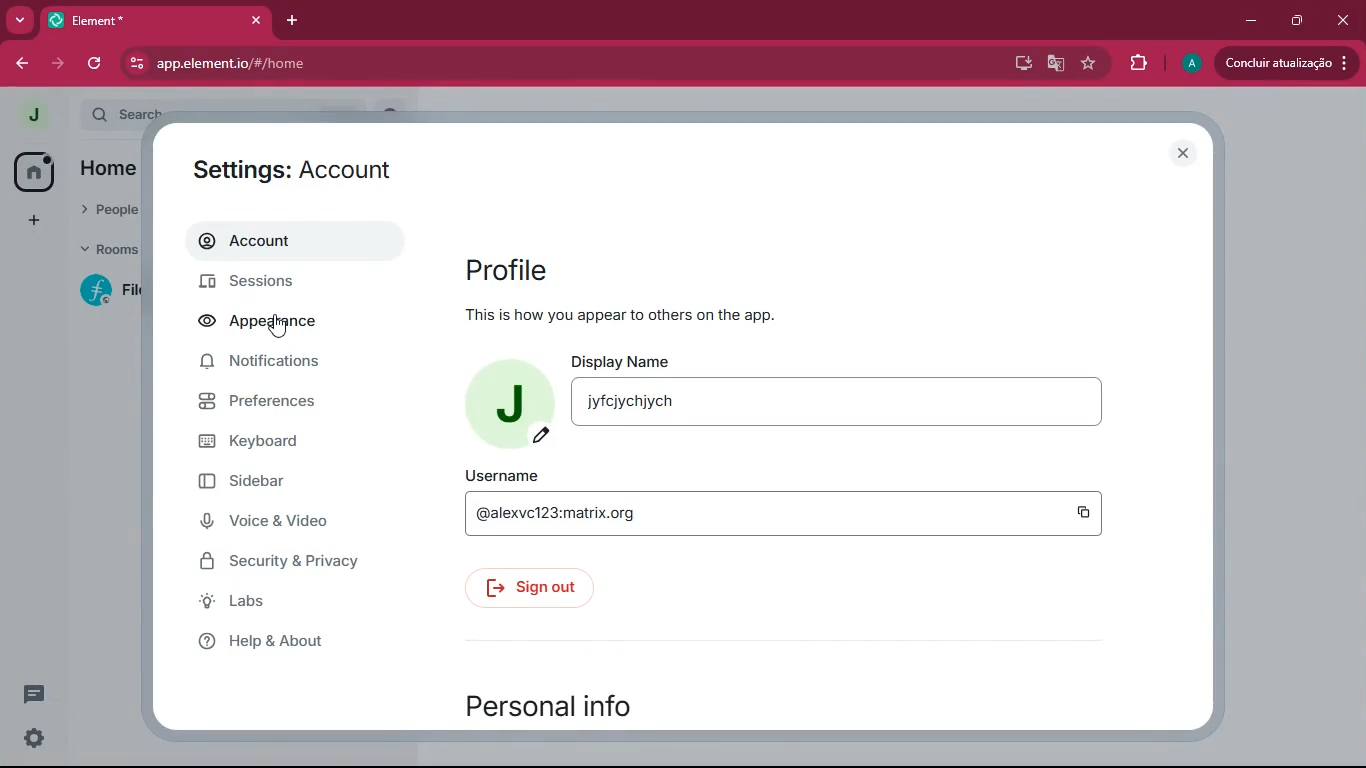 Image resolution: width=1366 pixels, height=768 pixels. I want to click on minimize, so click(1246, 18).